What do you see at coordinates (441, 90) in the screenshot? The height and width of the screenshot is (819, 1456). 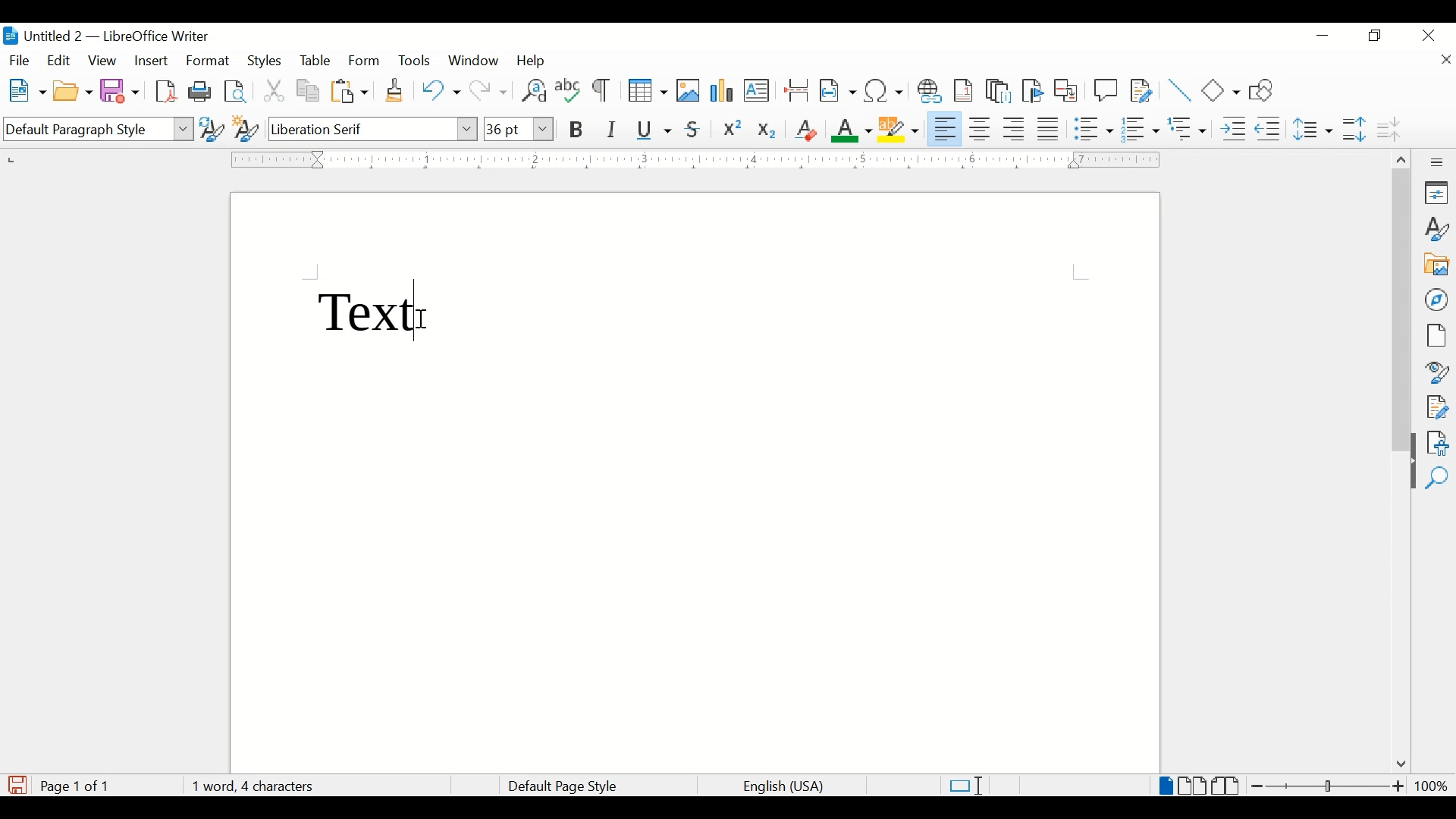 I see `undo` at bounding box center [441, 90].